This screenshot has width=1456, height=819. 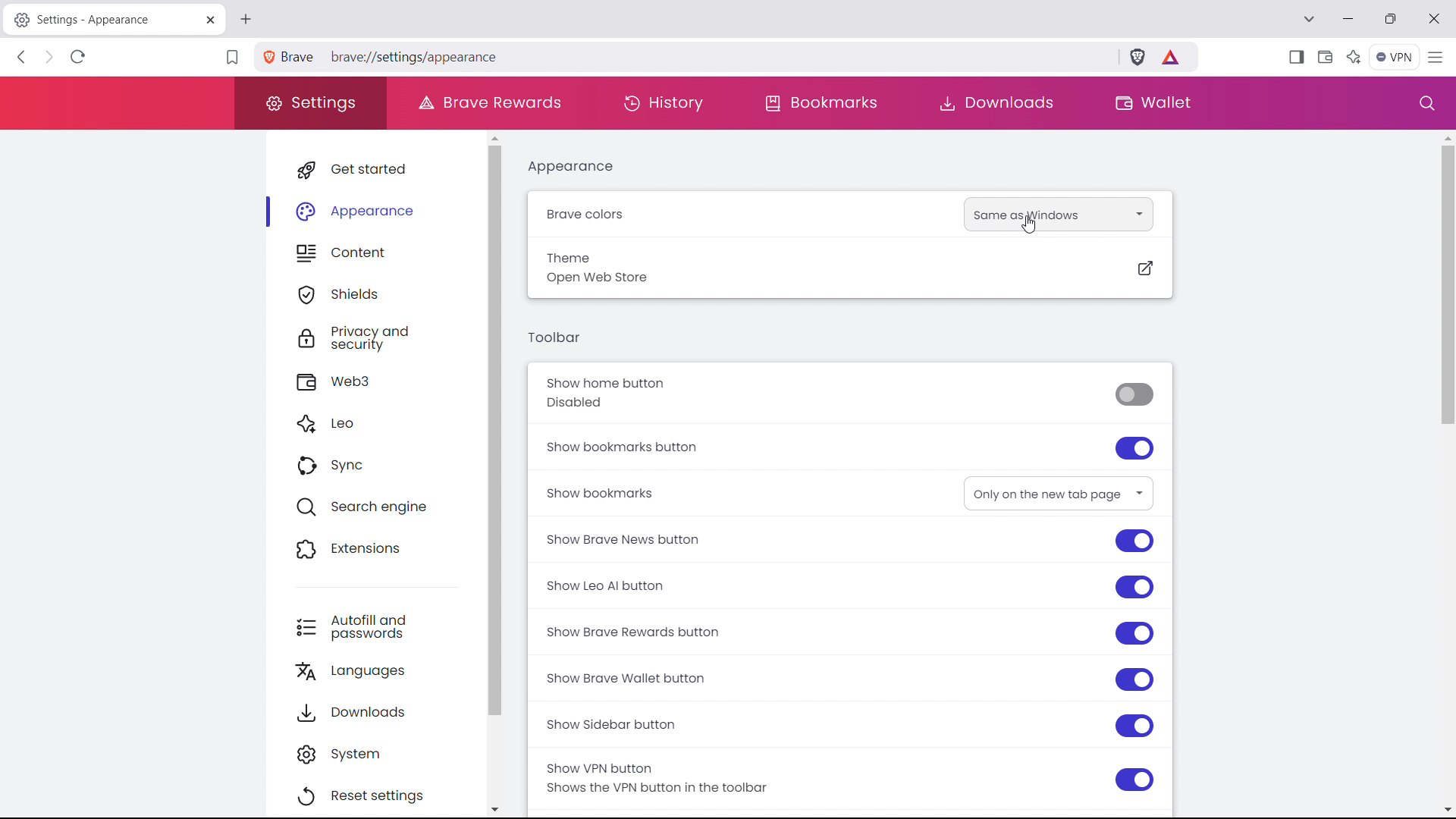 What do you see at coordinates (1440, 285) in the screenshot?
I see `scrollbar` at bounding box center [1440, 285].